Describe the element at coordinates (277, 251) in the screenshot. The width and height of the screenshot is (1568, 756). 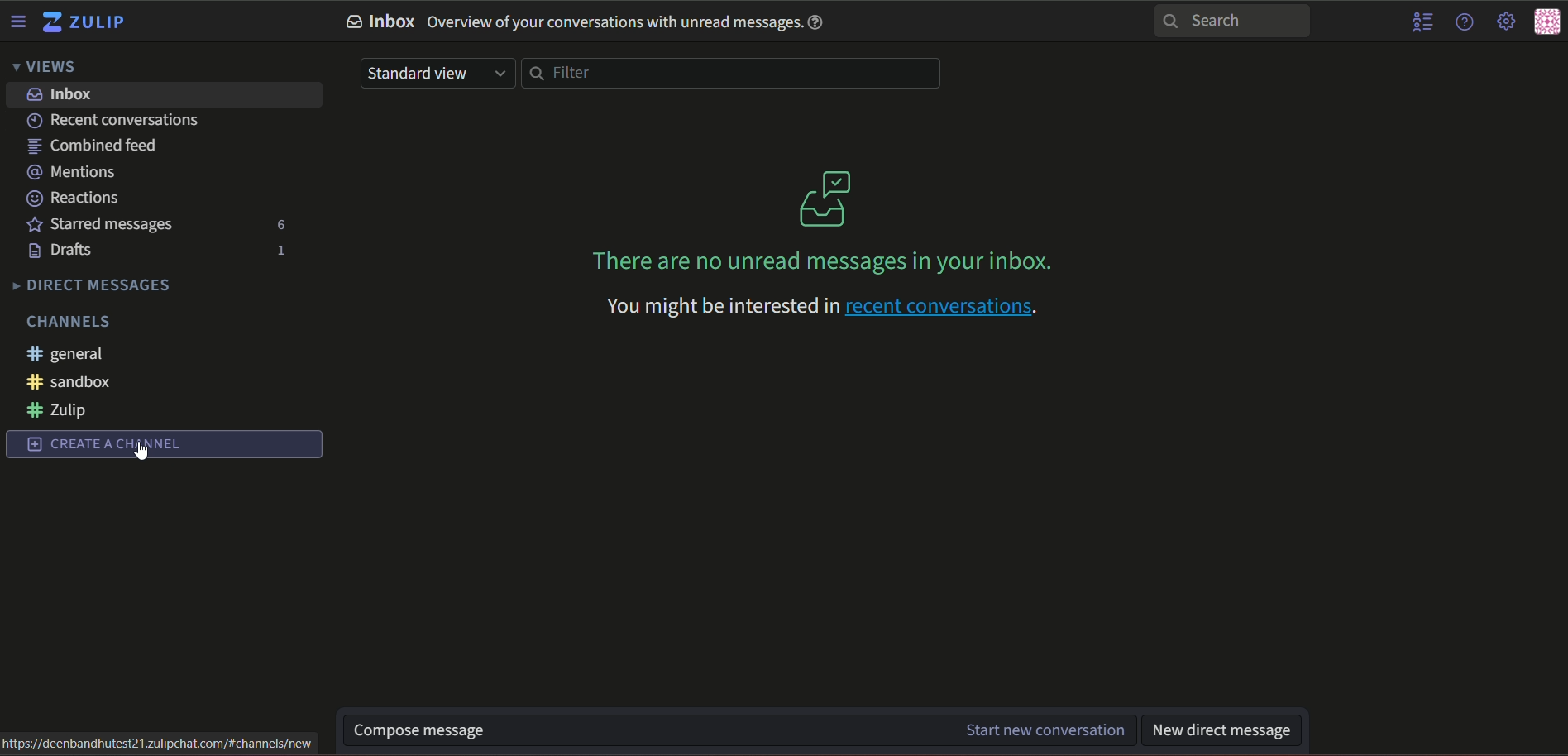
I see `1` at that location.